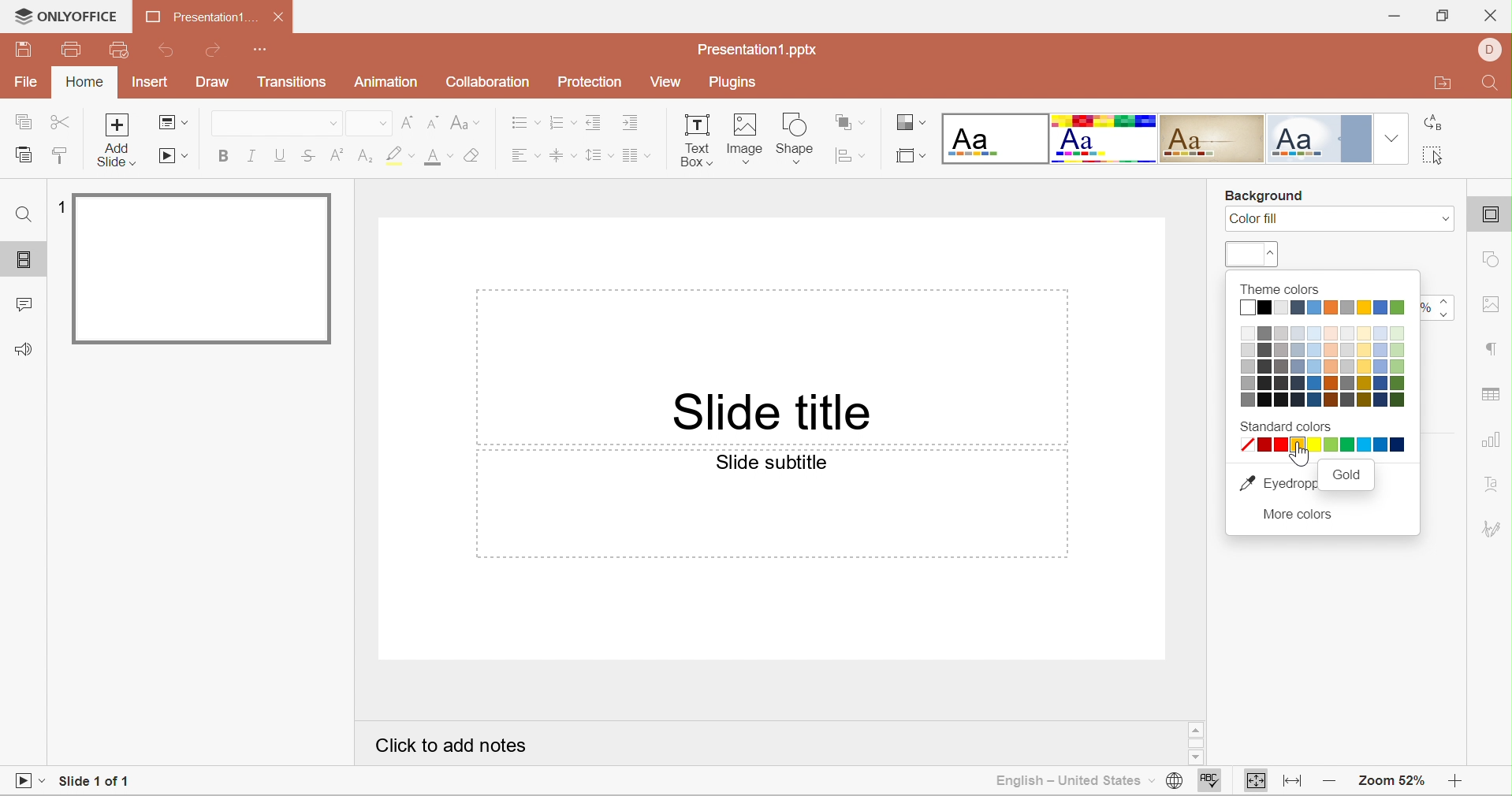 The width and height of the screenshot is (1512, 796). I want to click on Fit to slide, so click(1257, 781).